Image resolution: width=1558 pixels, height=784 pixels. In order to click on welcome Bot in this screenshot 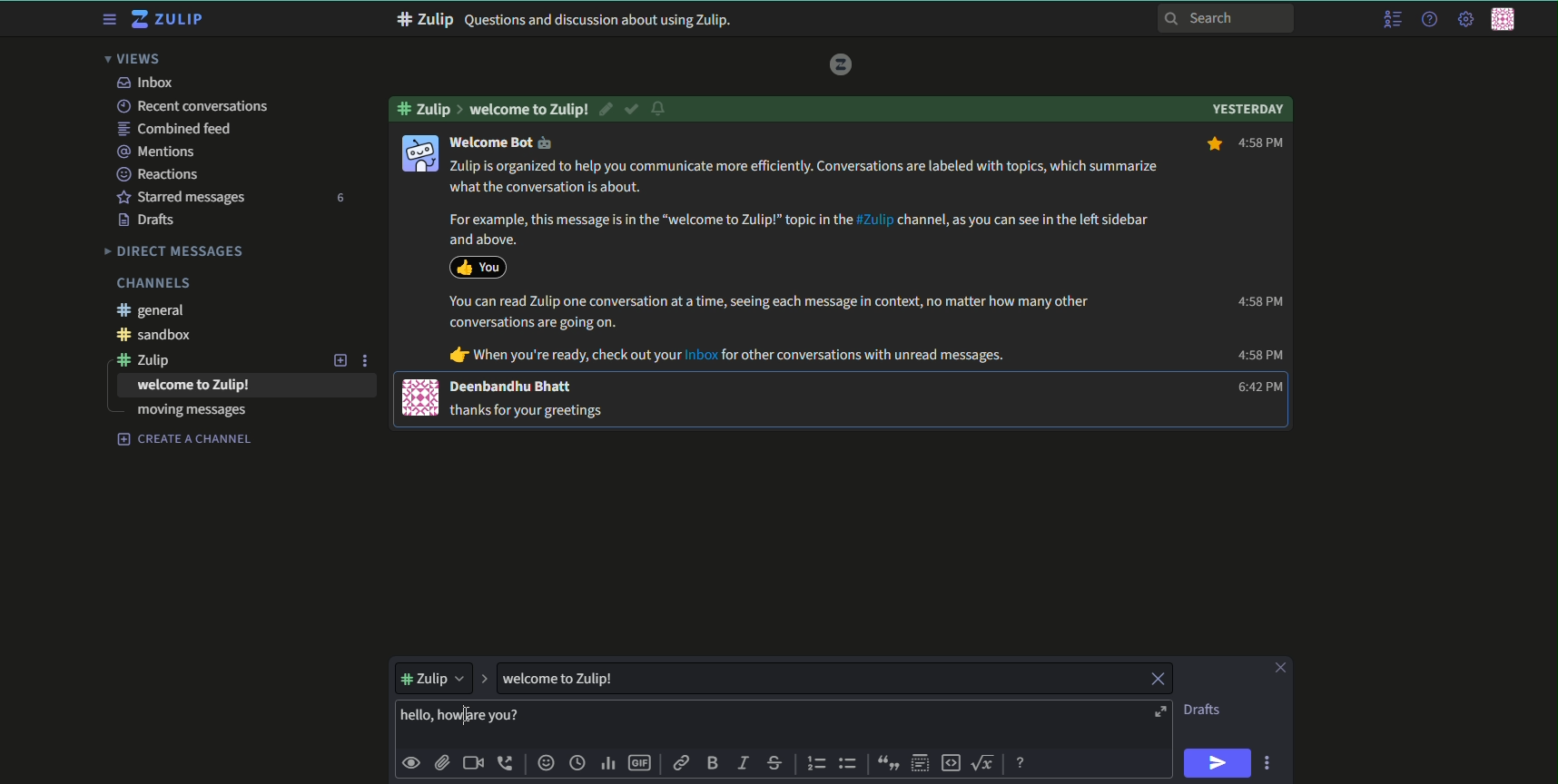, I will do `click(501, 142)`.